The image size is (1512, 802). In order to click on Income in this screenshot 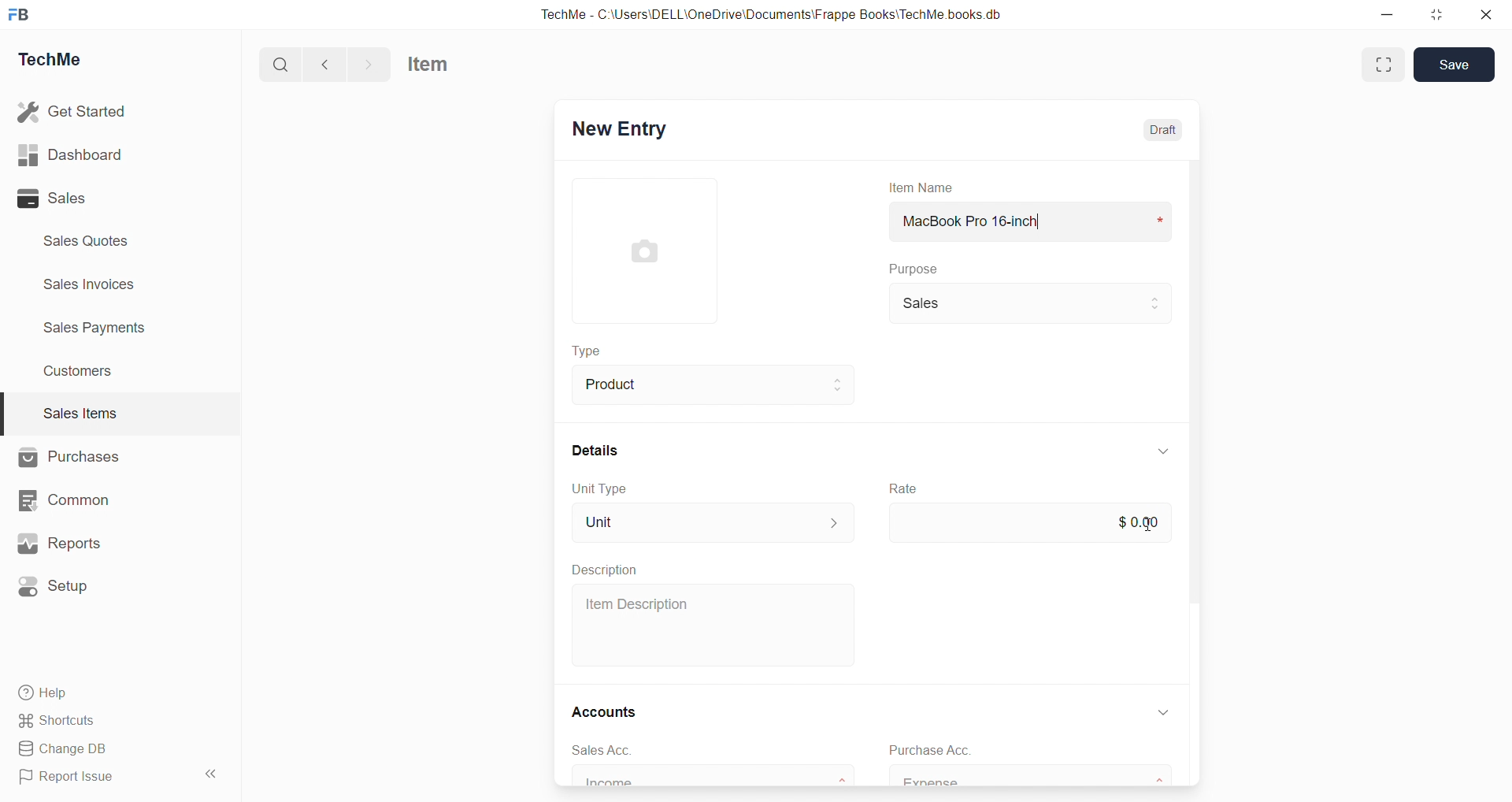, I will do `click(712, 775)`.